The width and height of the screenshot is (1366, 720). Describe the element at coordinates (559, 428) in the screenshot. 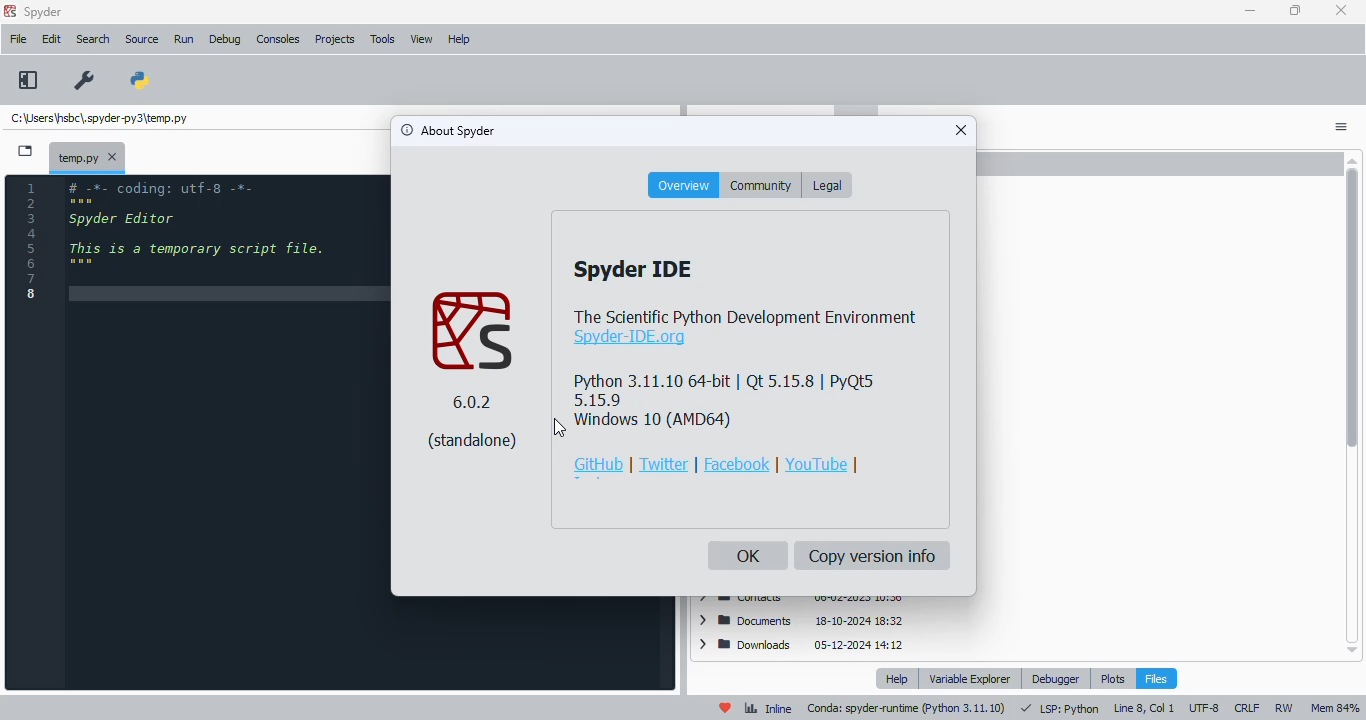

I see `cursor` at that location.